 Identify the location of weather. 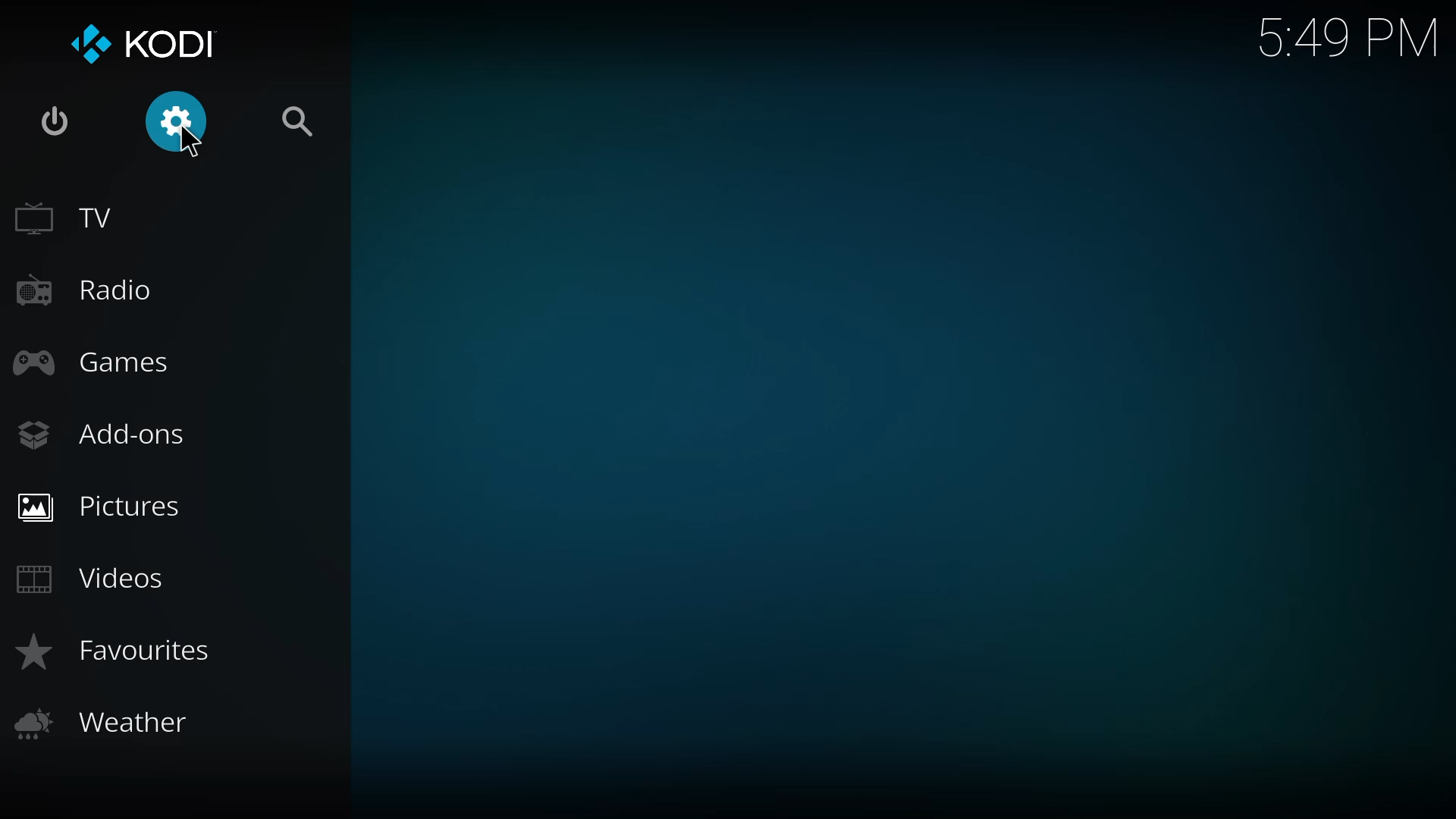
(109, 724).